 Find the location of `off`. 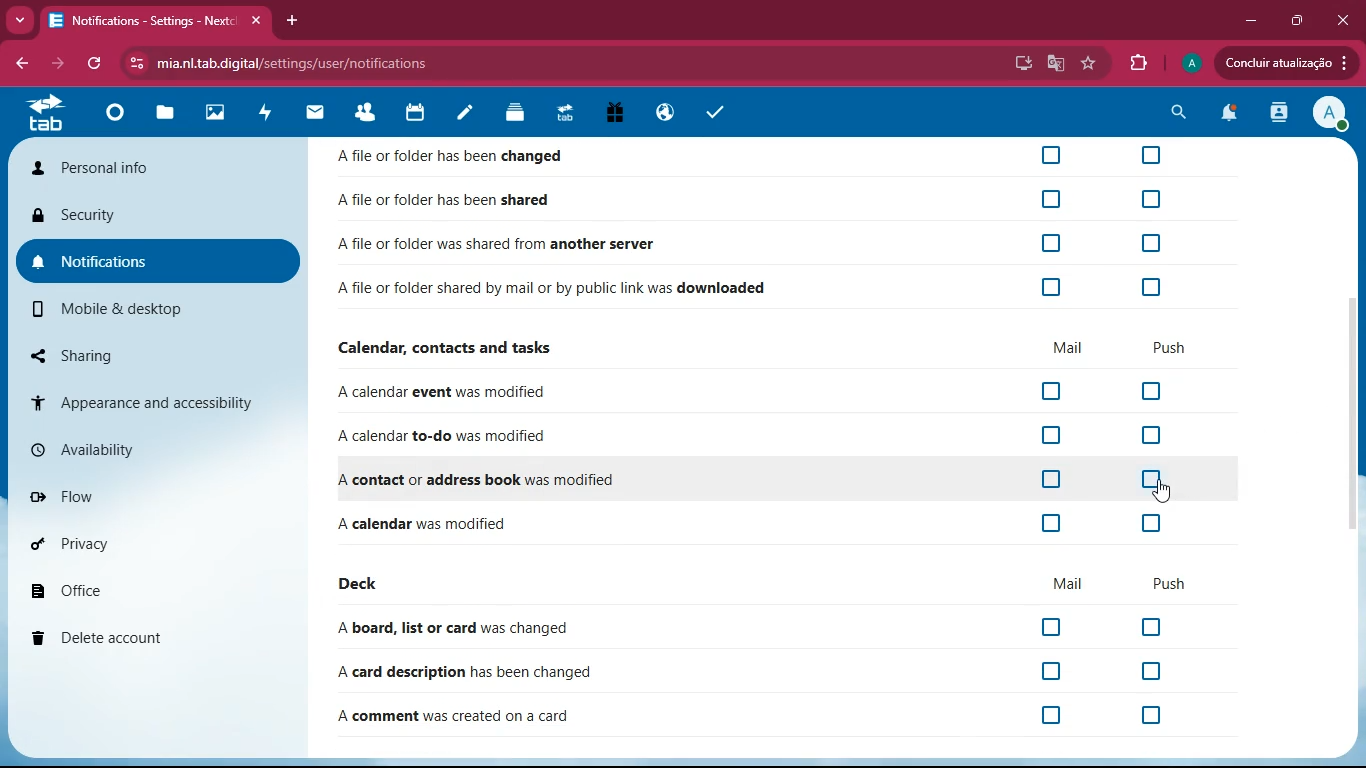

off is located at coordinates (1048, 393).